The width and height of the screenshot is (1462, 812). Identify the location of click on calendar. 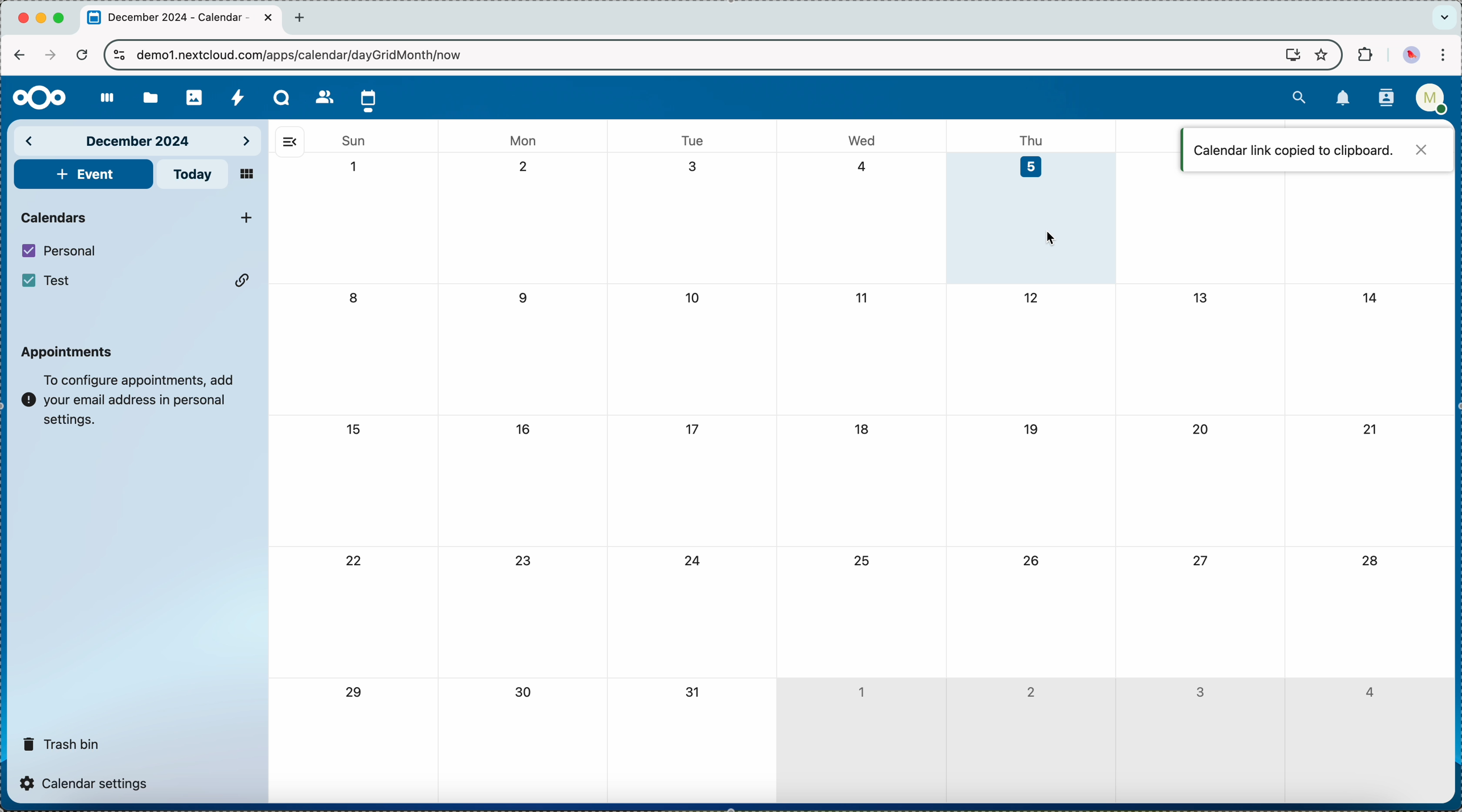
(369, 99).